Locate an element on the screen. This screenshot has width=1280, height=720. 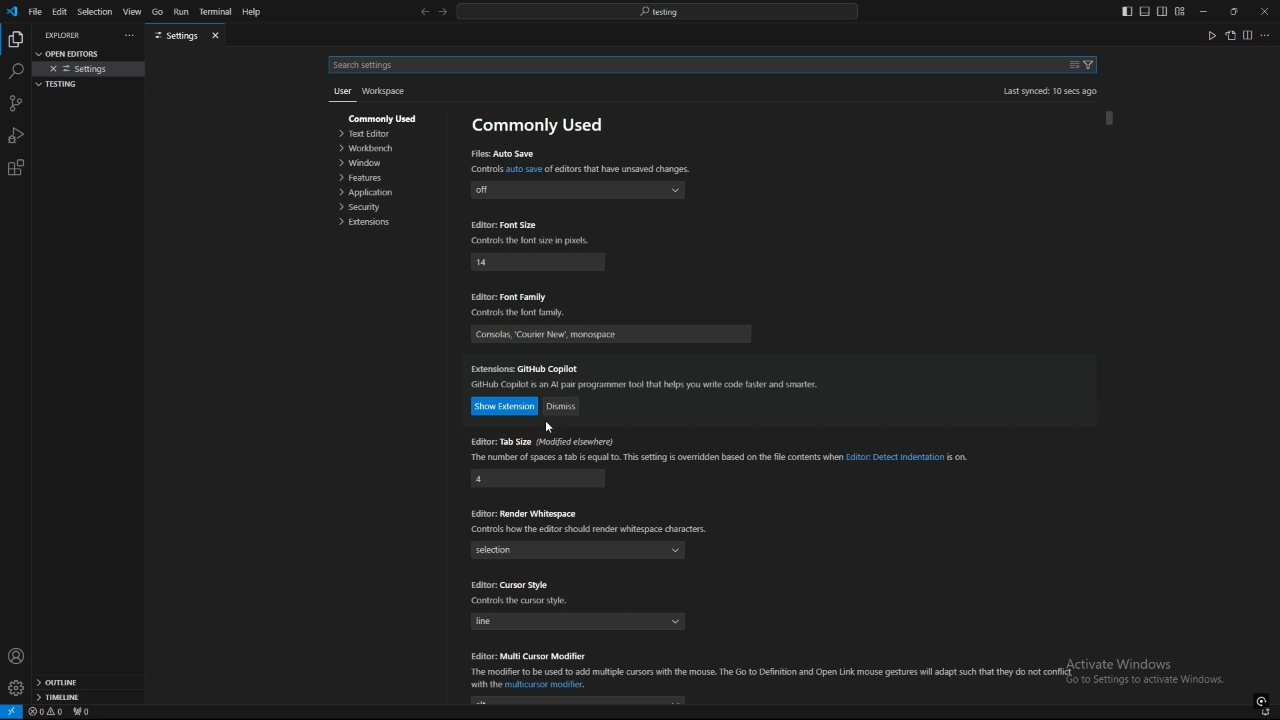
info is located at coordinates (644, 385).